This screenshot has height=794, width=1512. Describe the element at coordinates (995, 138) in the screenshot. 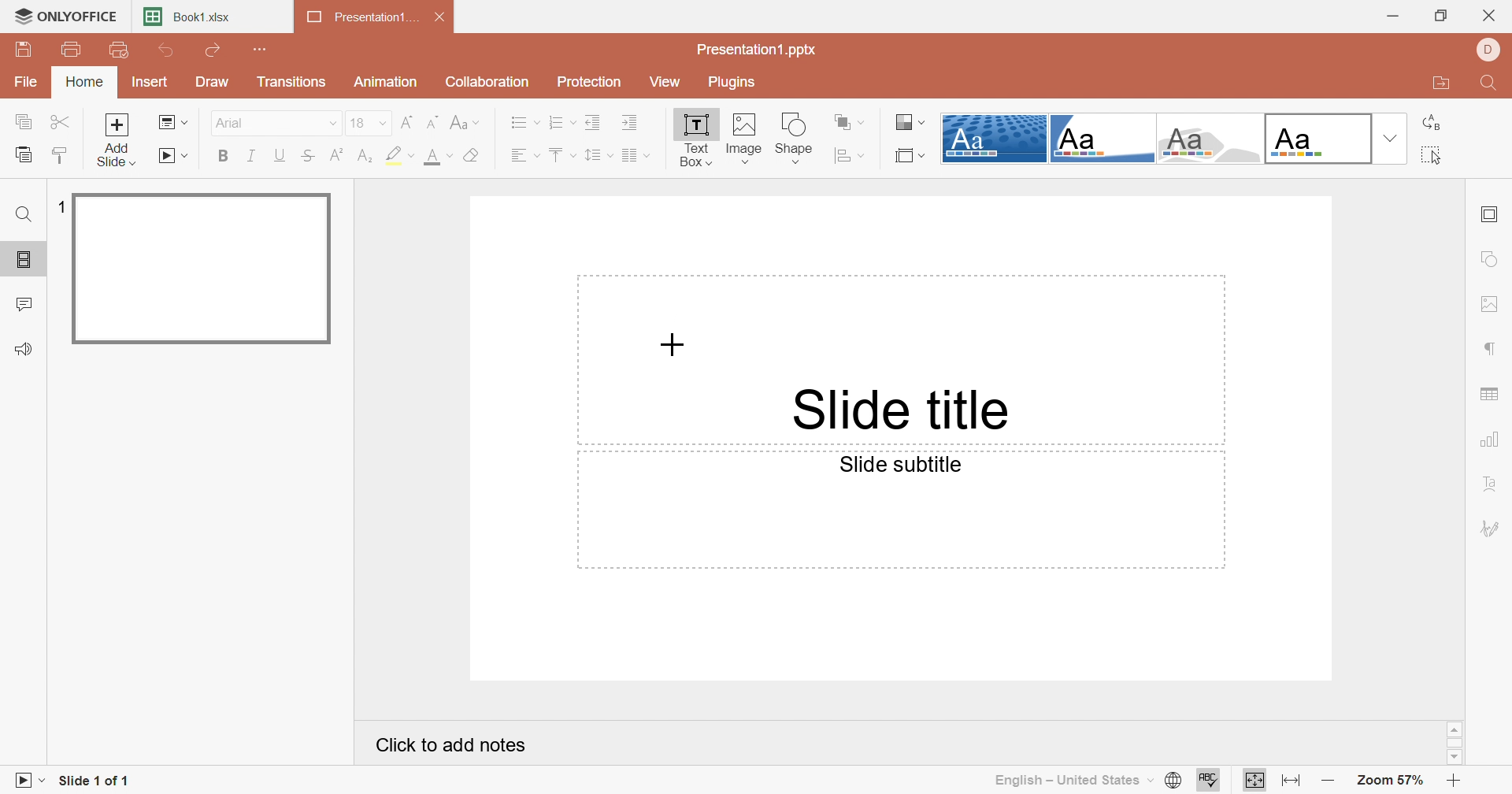

I see `Dotted` at that location.